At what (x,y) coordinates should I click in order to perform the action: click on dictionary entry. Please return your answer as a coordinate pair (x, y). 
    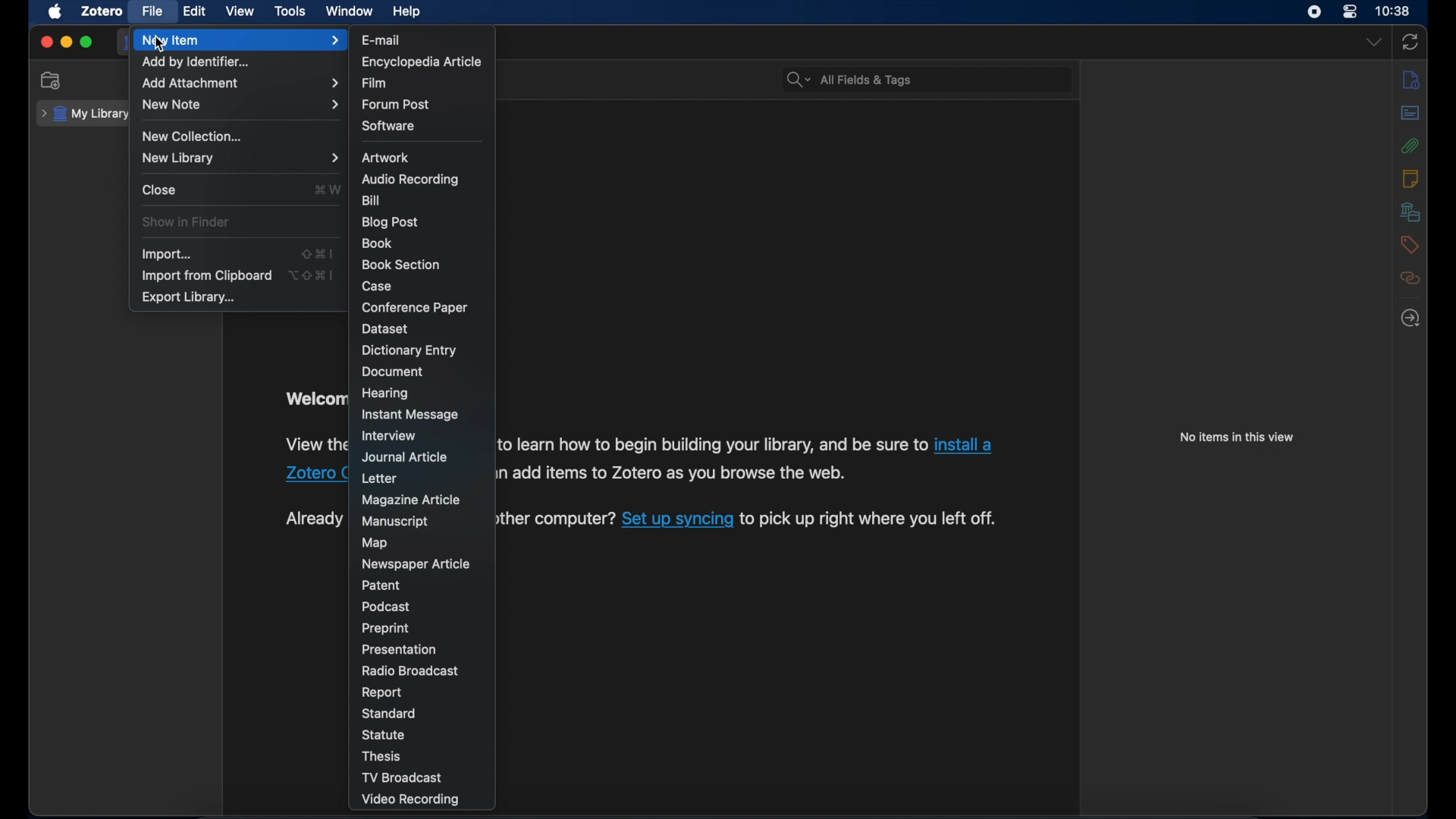
    Looking at the image, I should click on (409, 350).